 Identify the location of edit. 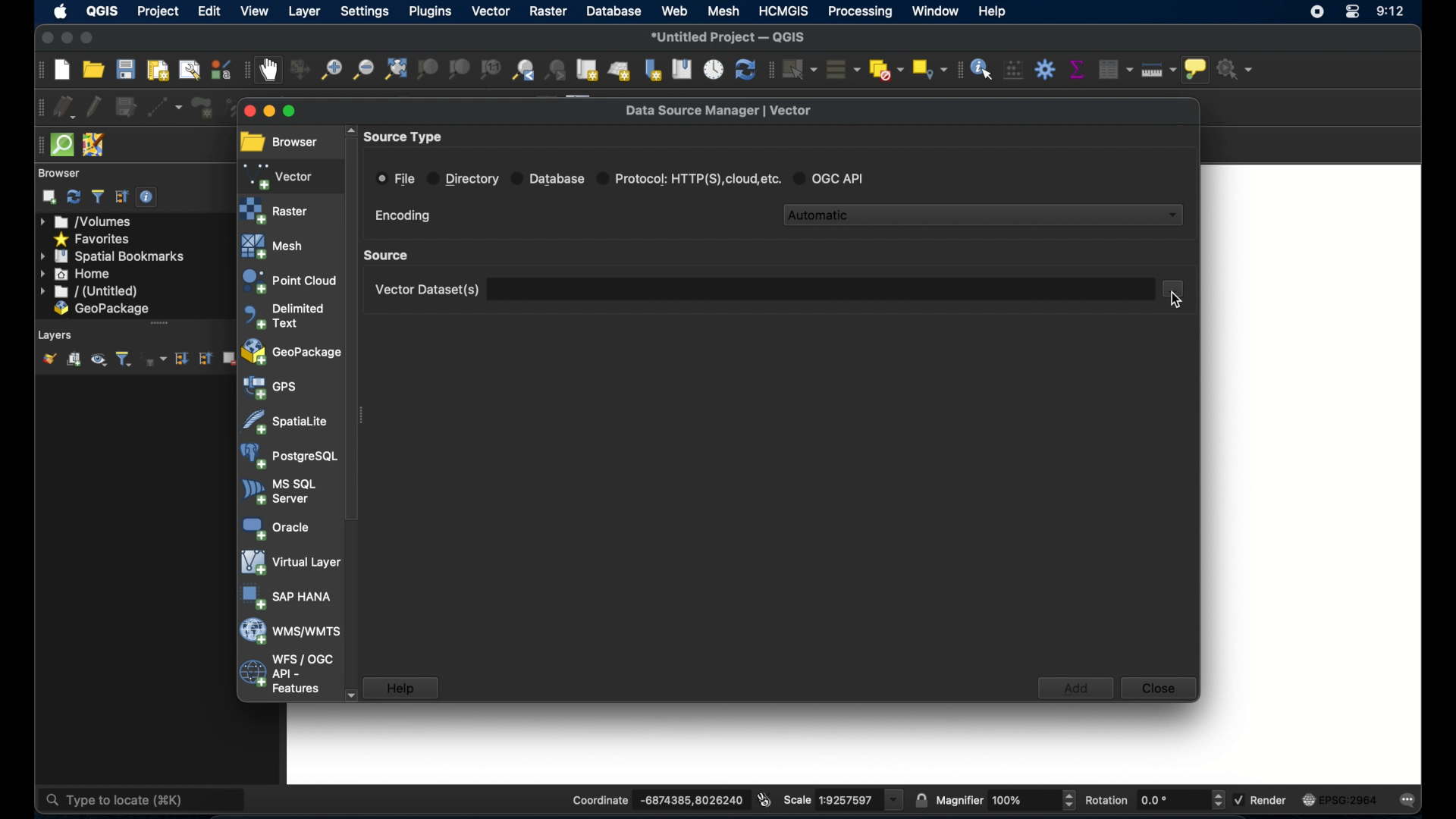
(210, 11).